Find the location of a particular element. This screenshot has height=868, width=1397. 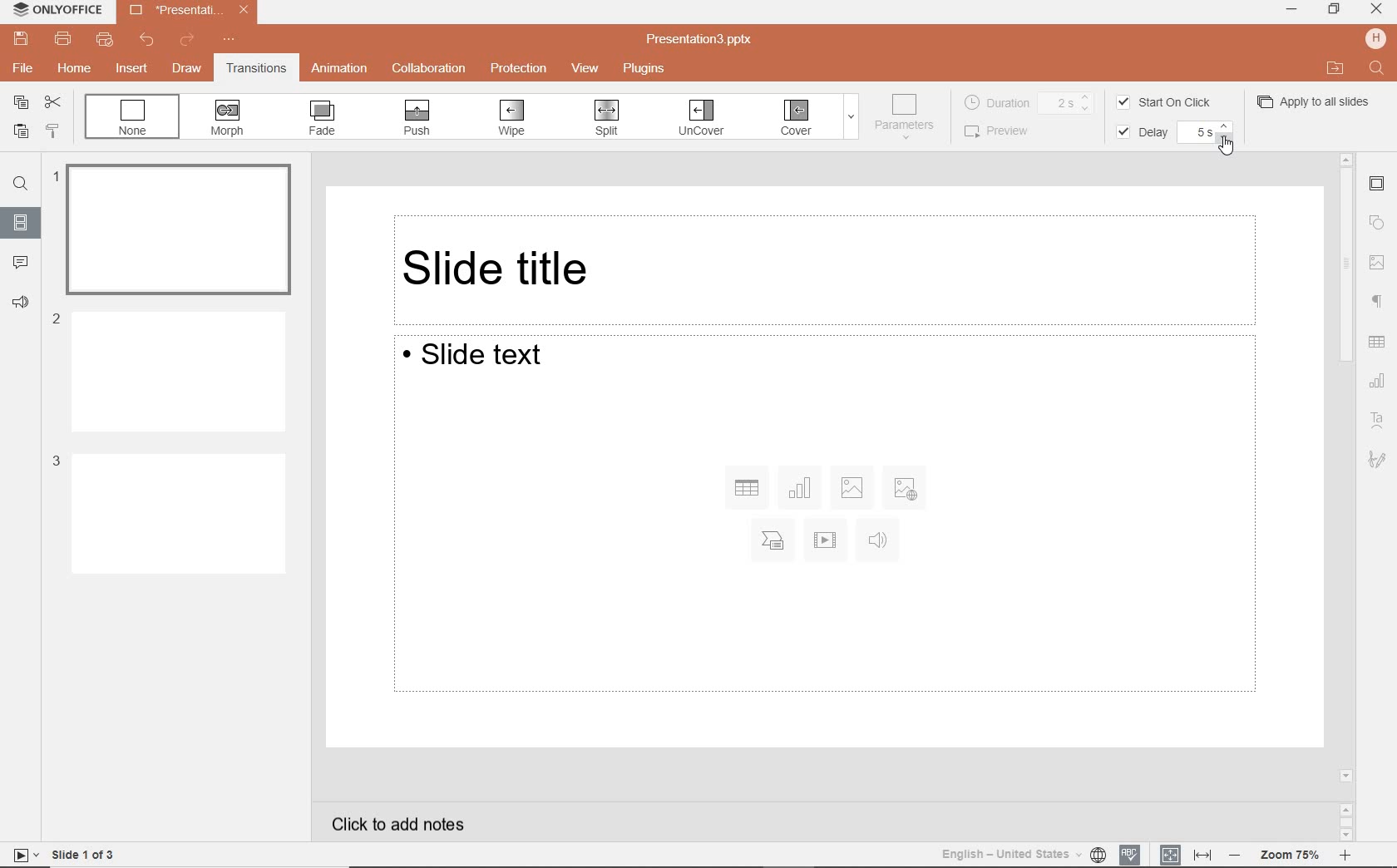

print is located at coordinates (63, 37).